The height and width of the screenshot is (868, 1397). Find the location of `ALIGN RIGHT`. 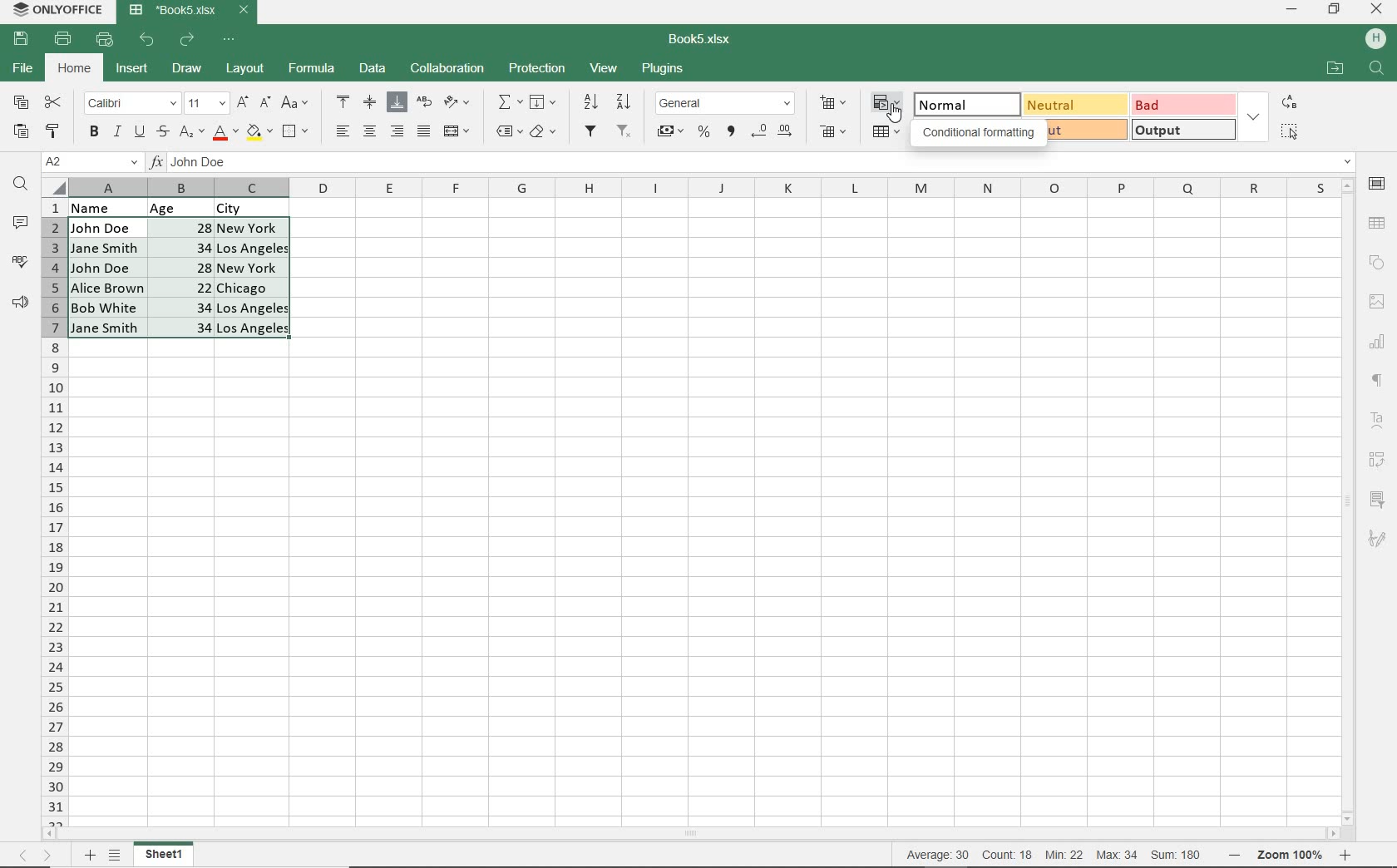

ALIGN RIGHT is located at coordinates (397, 131).